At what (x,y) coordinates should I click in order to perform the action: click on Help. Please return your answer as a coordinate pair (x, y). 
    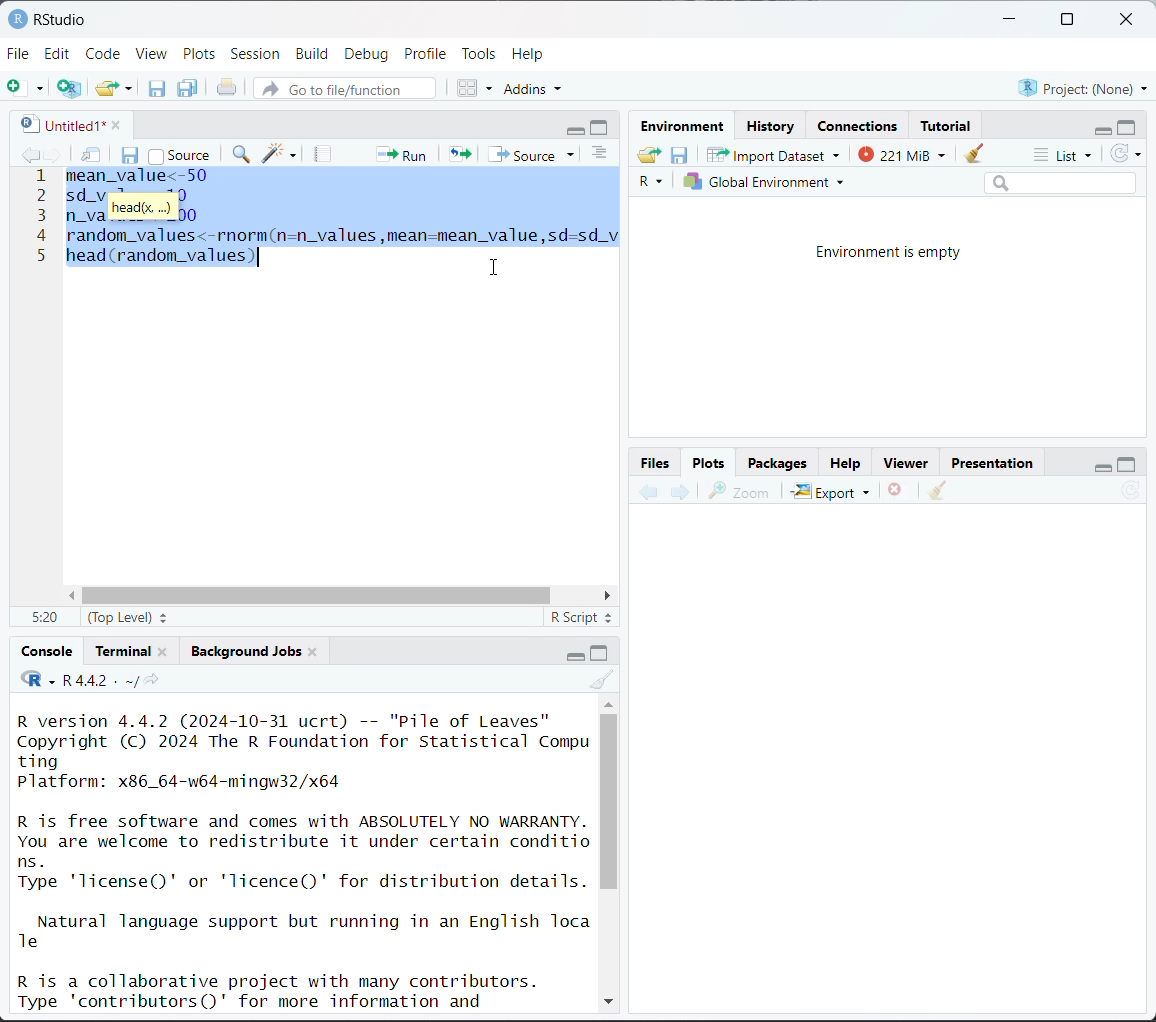
    Looking at the image, I should click on (530, 53).